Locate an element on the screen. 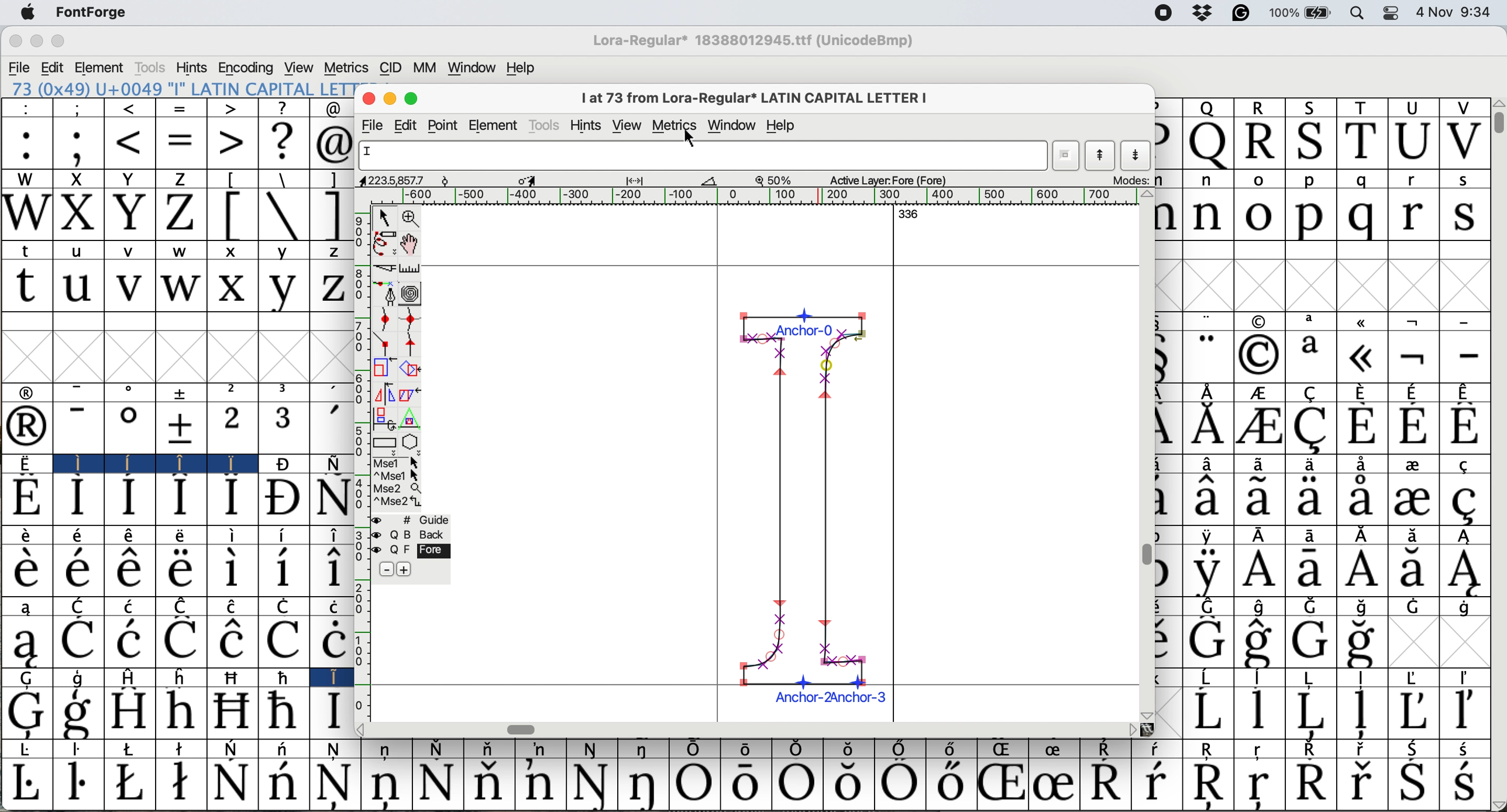 This screenshot has height=812, width=1507.  is located at coordinates (389, 179).